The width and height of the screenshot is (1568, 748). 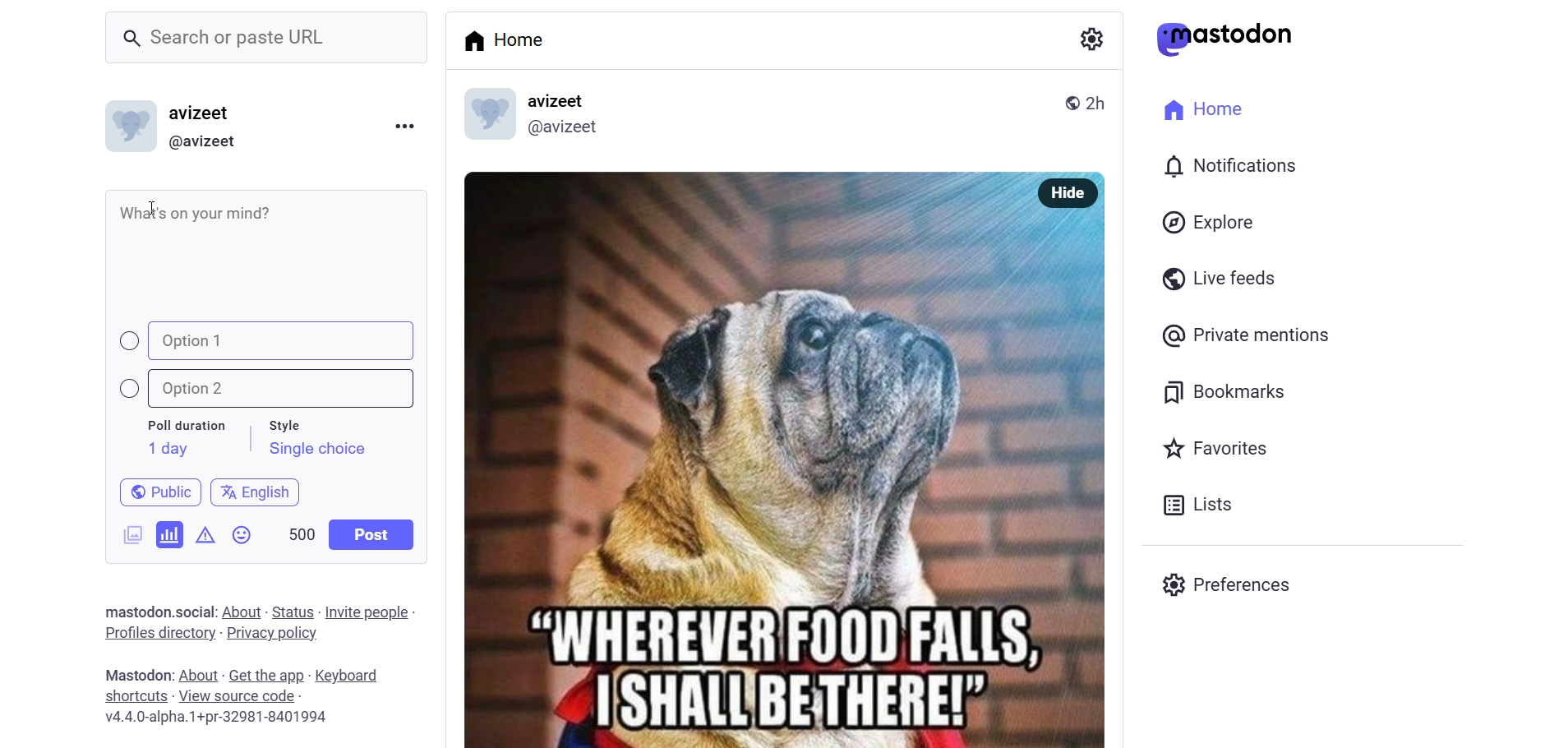 What do you see at coordinates (192, 612) in the screenshot?
I see `social` at bounding box center [192, 612].